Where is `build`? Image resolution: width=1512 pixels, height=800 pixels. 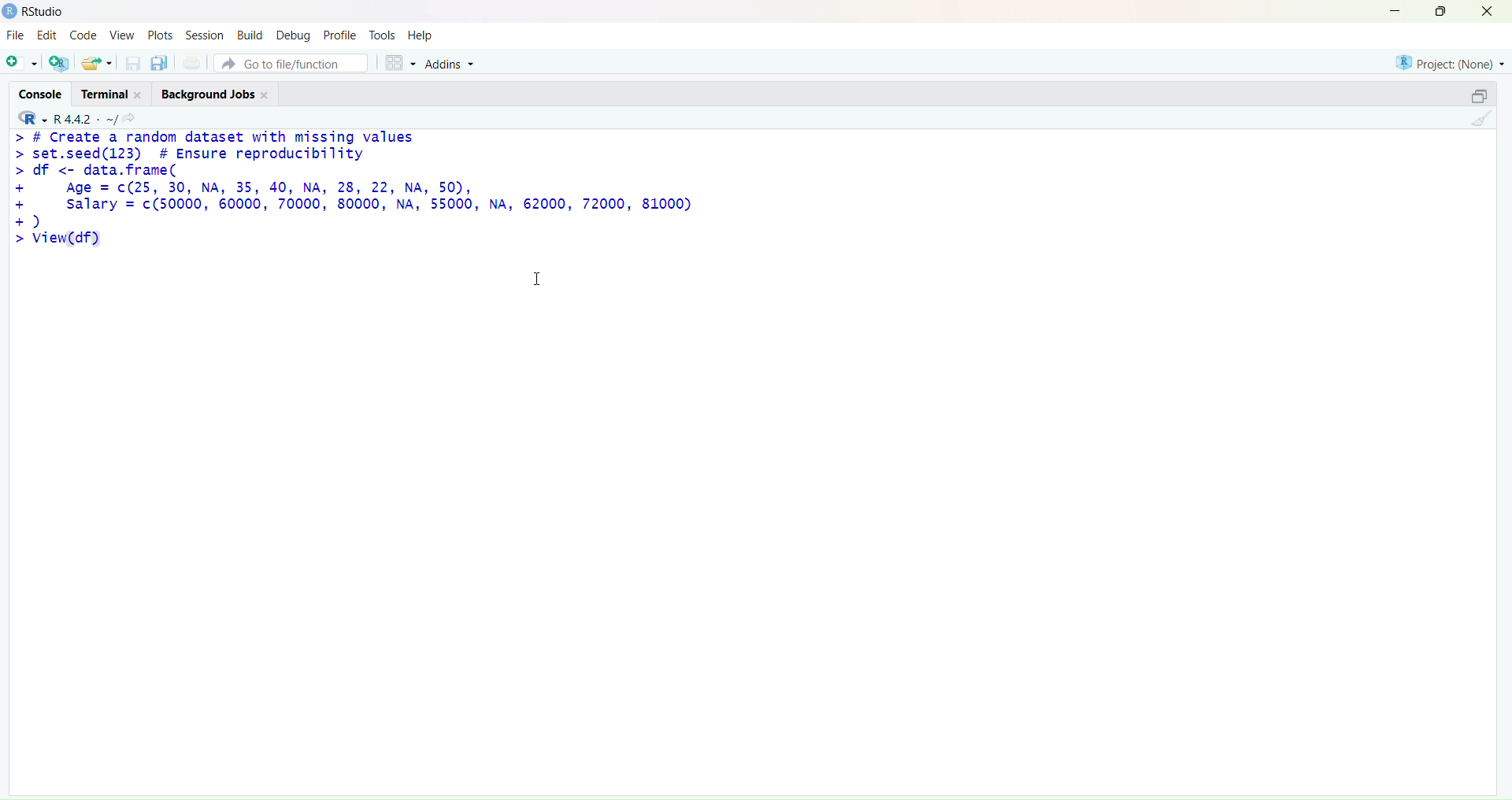 build is located at coordinates (250, 35).